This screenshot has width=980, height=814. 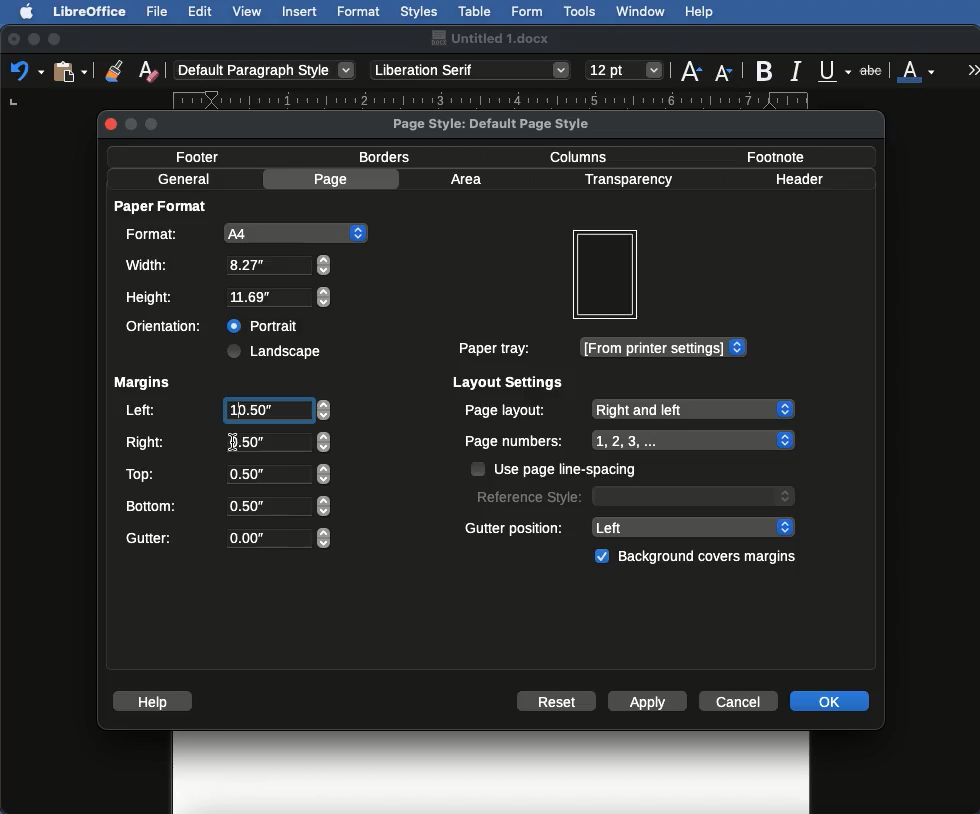 I want to click on Name, so click(x=489, y=38).